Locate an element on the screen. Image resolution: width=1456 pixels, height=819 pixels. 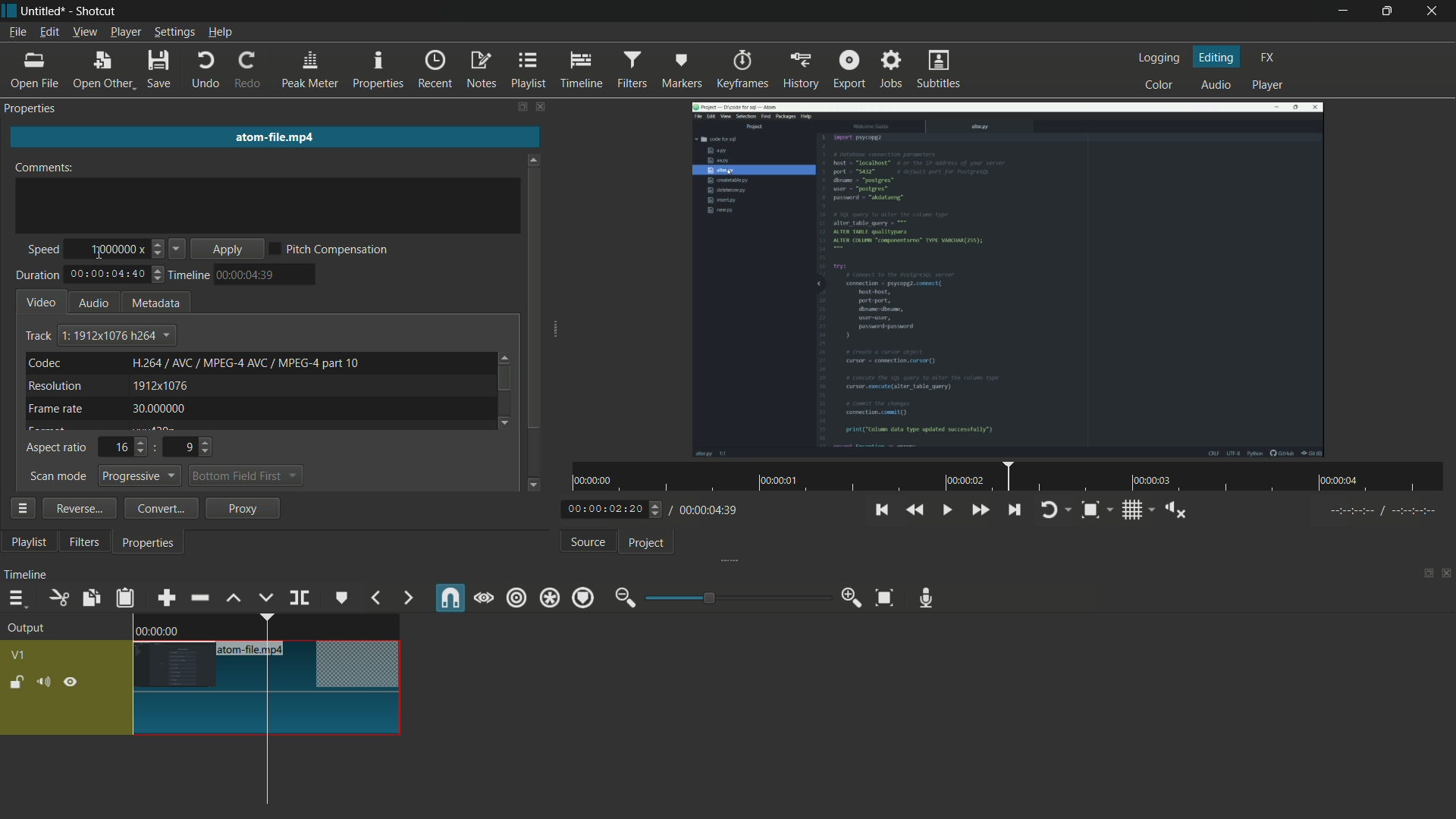
jobs is located at coordinates (891, 69).